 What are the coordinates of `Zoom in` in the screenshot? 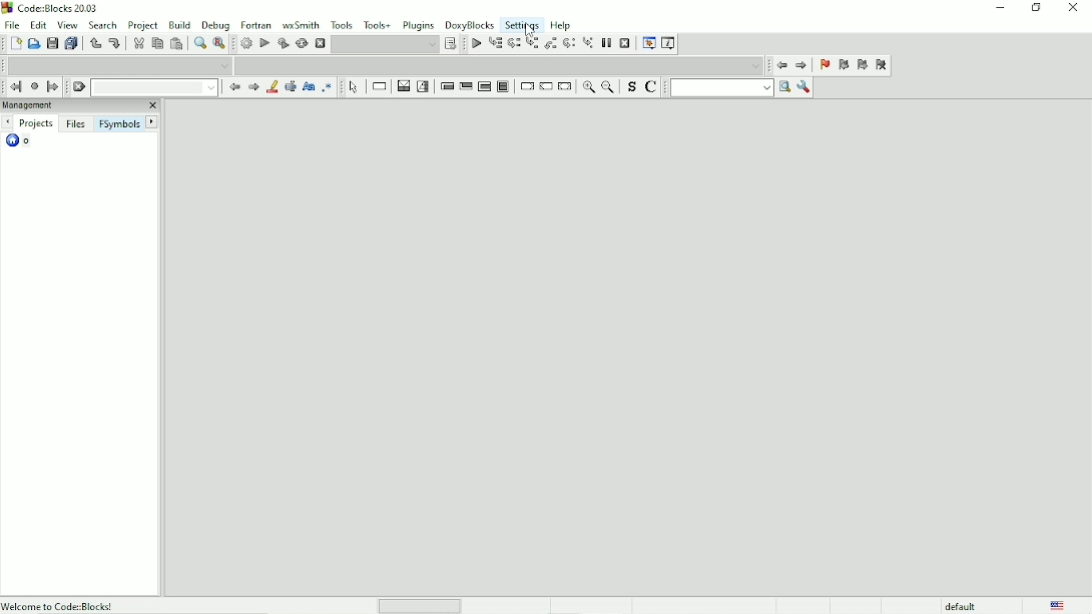 It's located at (588, 87).